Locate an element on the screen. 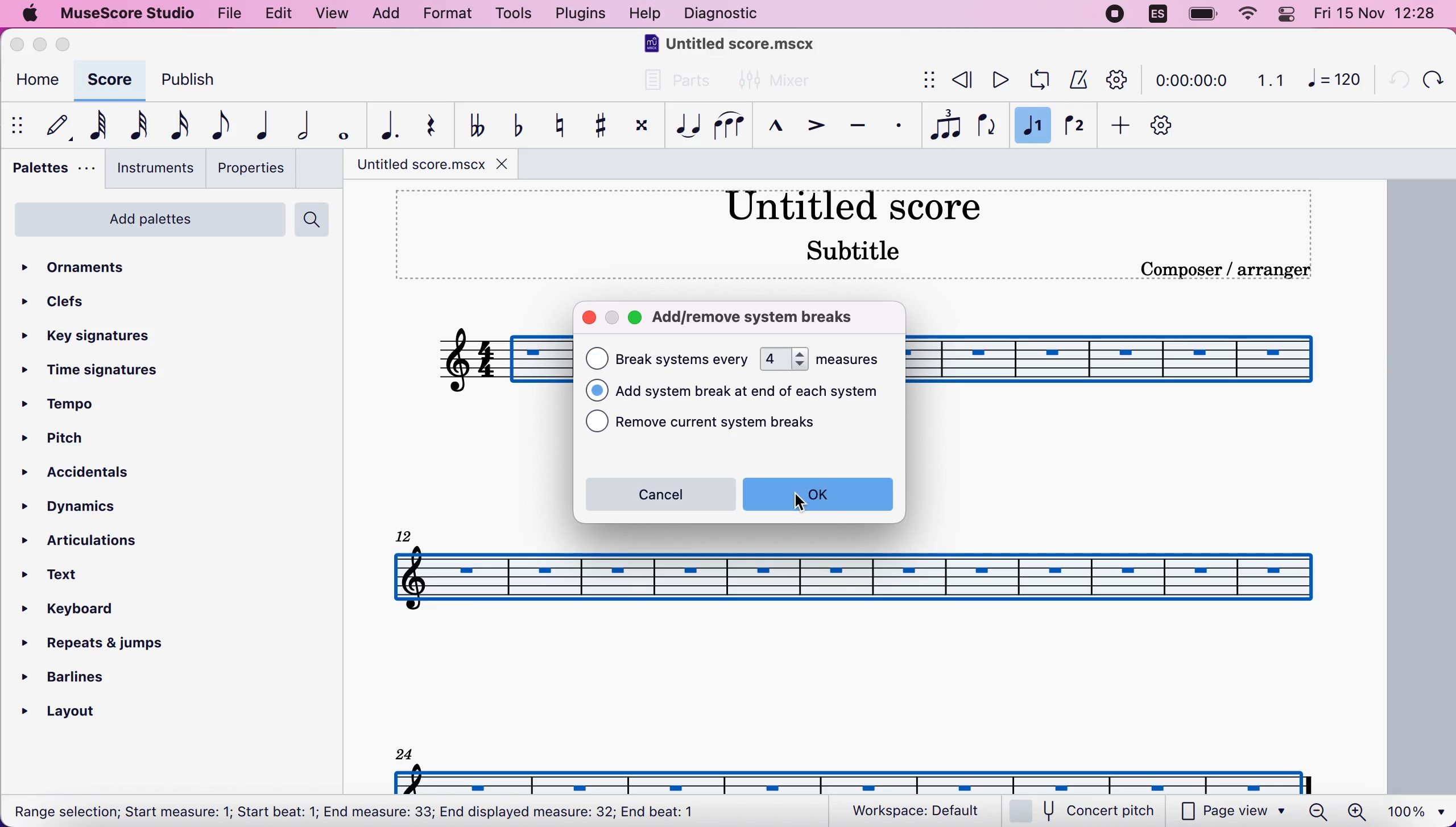 Image resolution: width=1456 pixels, height=827 pixels. undo is located at coordinates (1393, 78).